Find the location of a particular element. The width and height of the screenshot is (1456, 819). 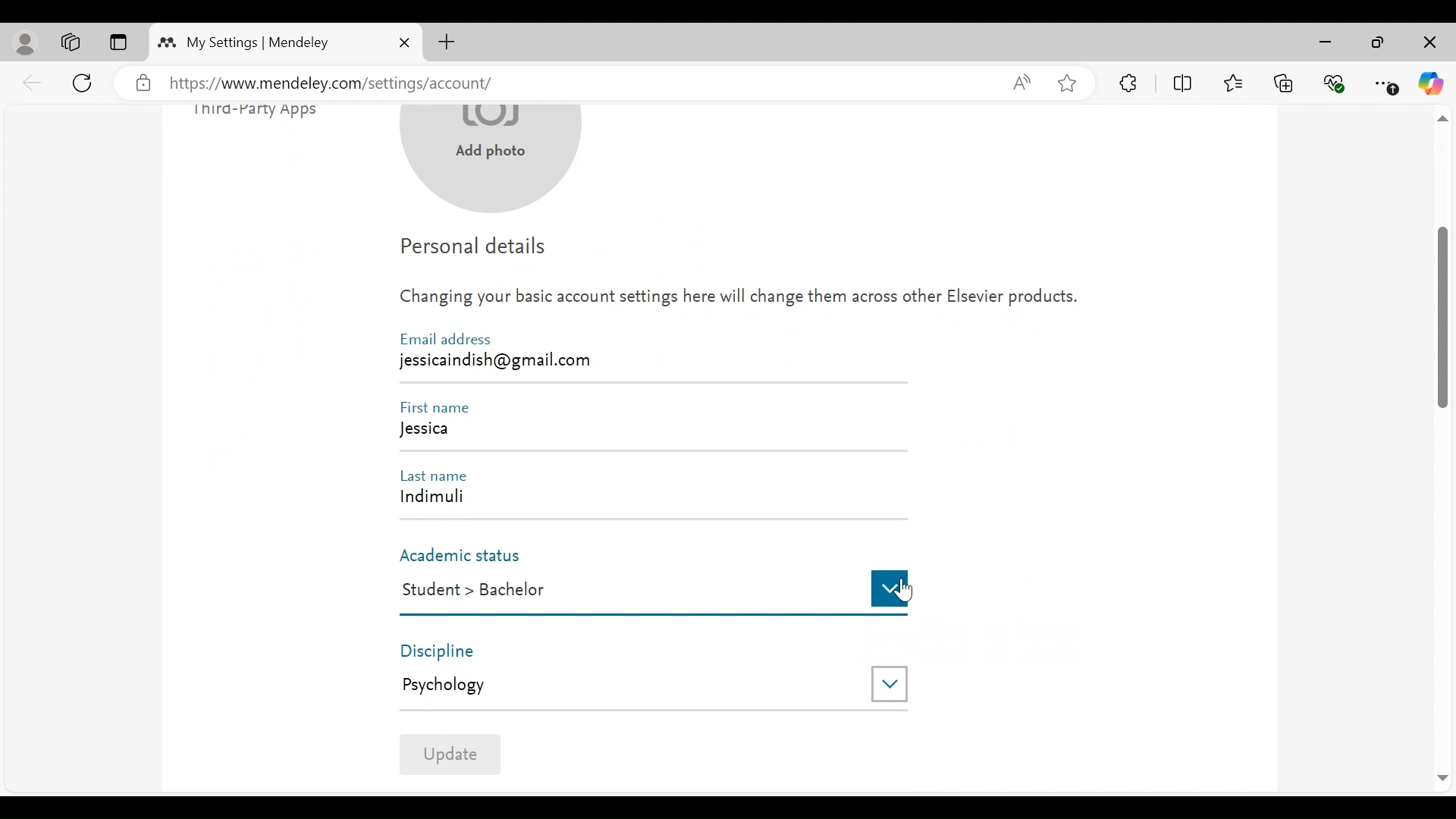

First Name is located at coordinates (440, 407).